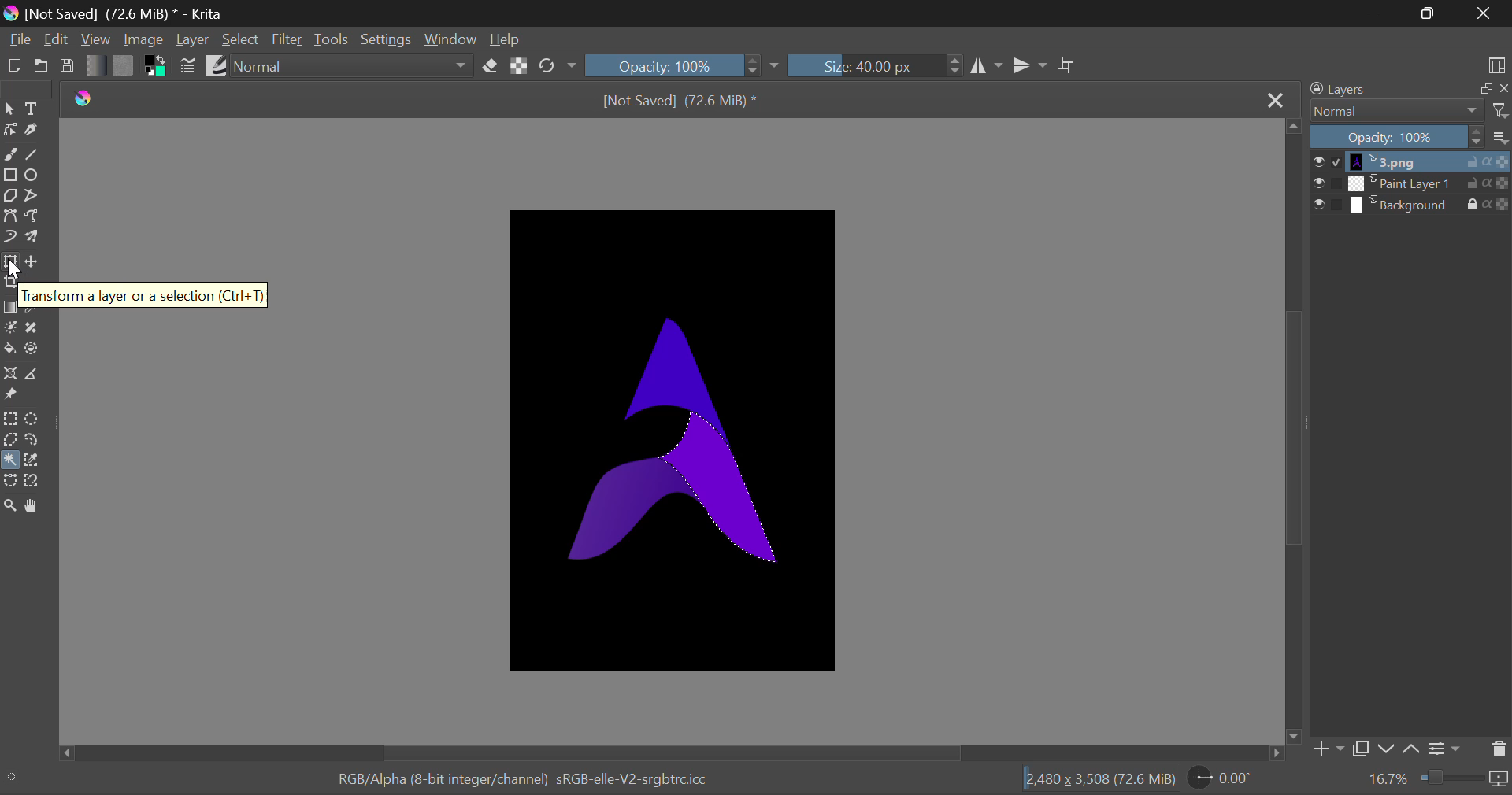 The image size is (1512, 795). What do you see at coordinates (146, 41) in the screenshot?
I see `Image` at bounding box center [146, 41].